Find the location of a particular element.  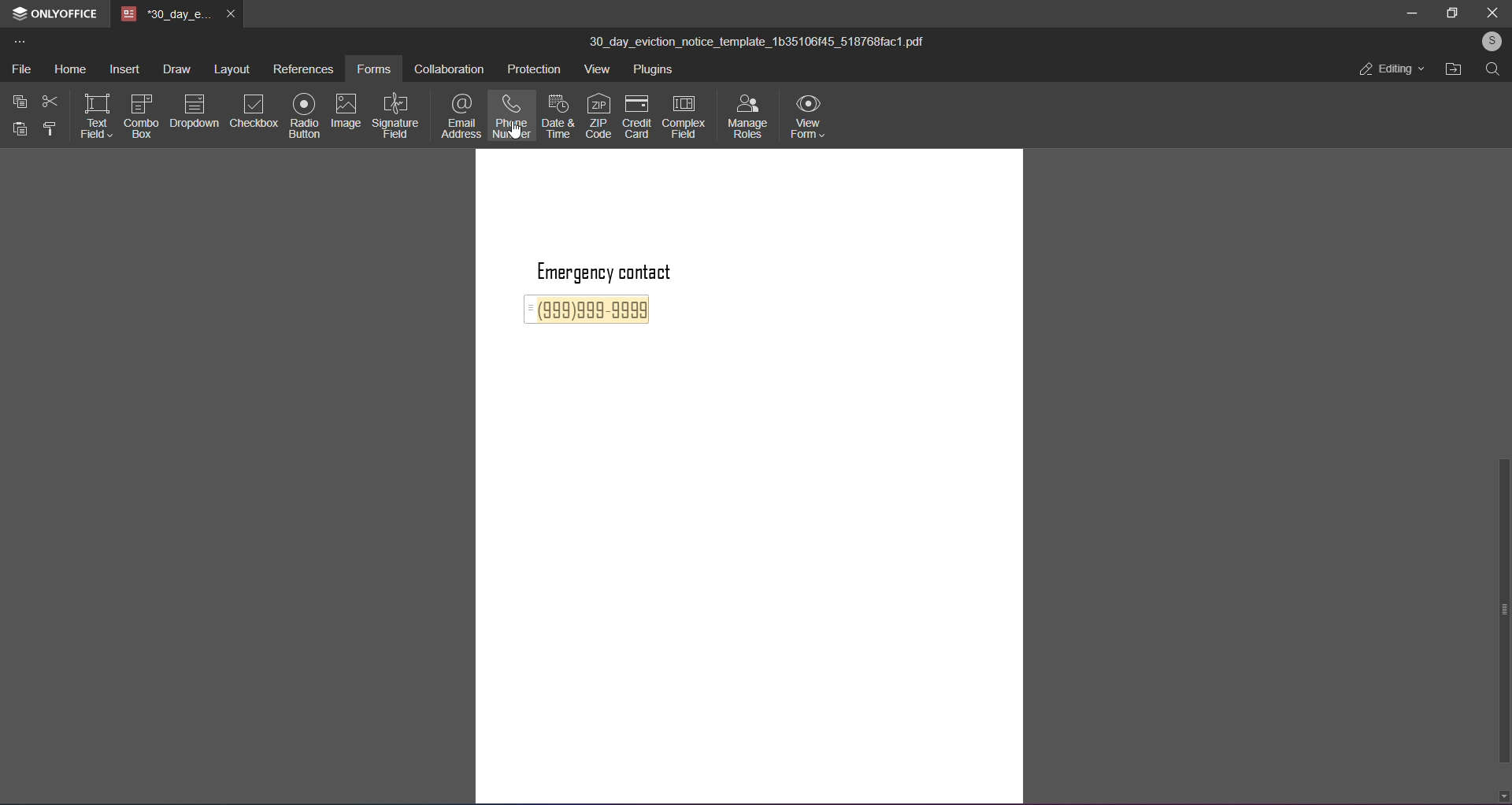

credit is located at coordinates (639, 121).